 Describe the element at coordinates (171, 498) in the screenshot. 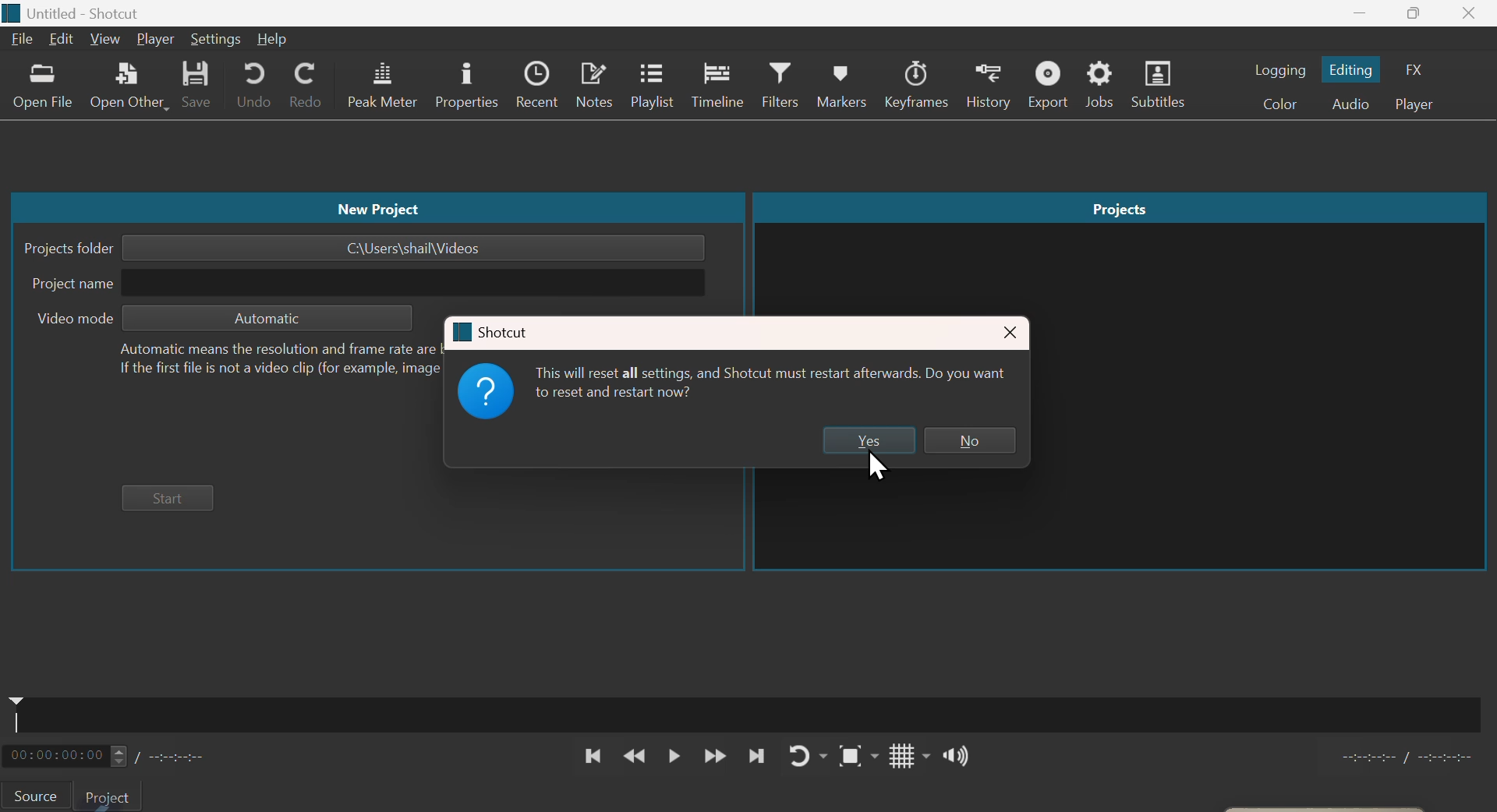

I see `Start` at that location.